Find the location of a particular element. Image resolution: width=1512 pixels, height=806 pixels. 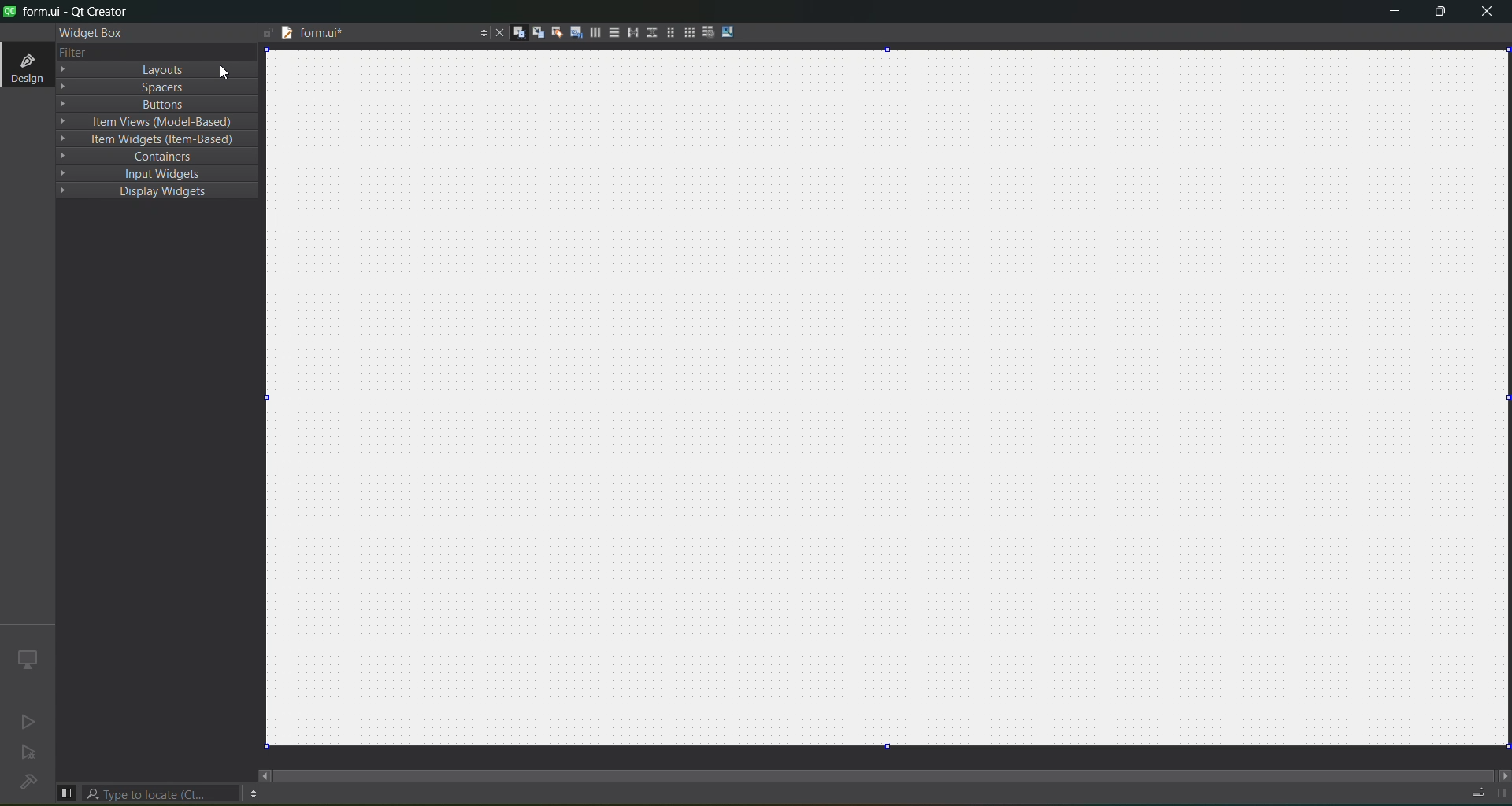

edit widgets is located at coordinates (519, 33).